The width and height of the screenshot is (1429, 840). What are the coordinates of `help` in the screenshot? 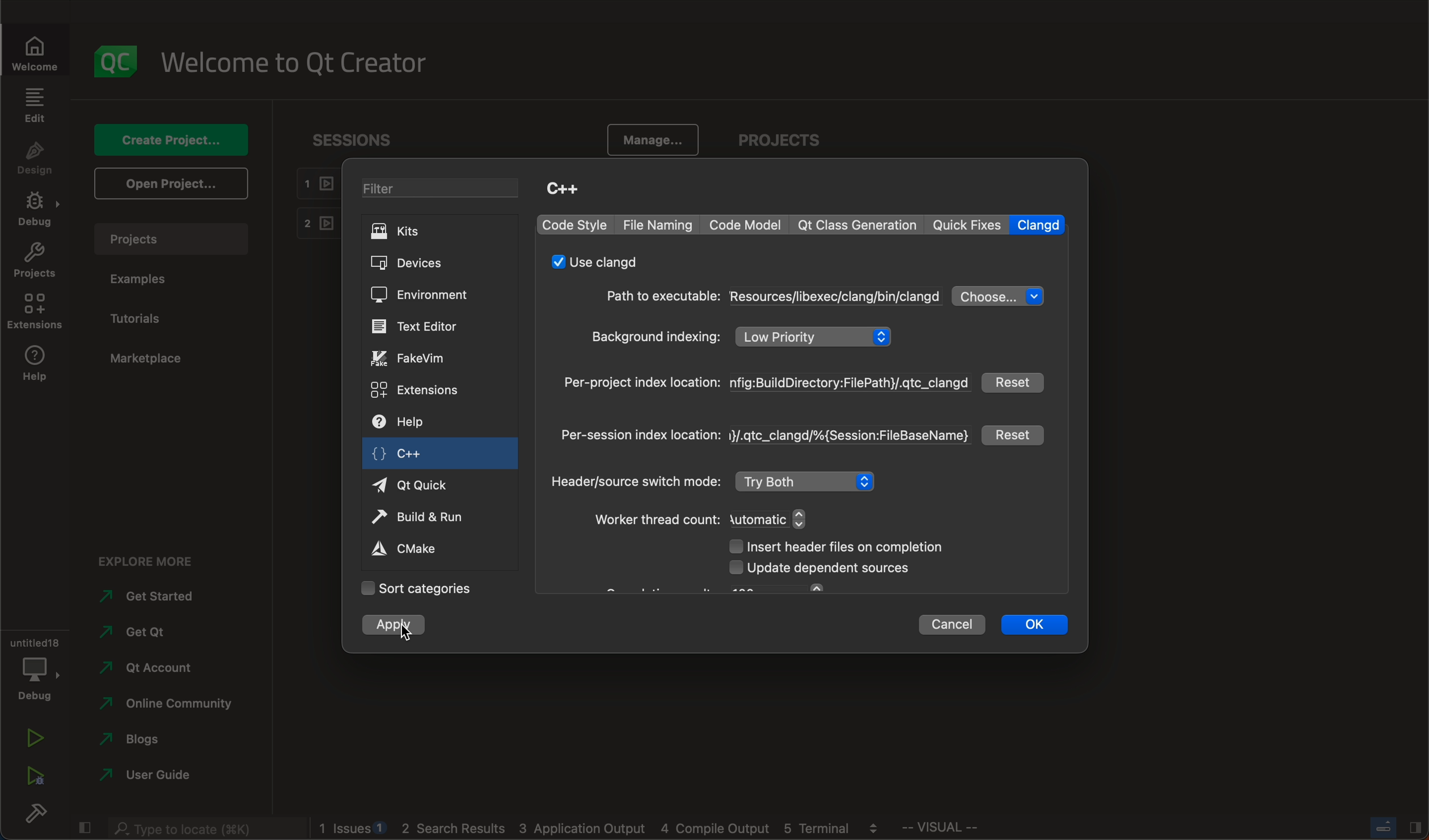 It's located at (413, 420).